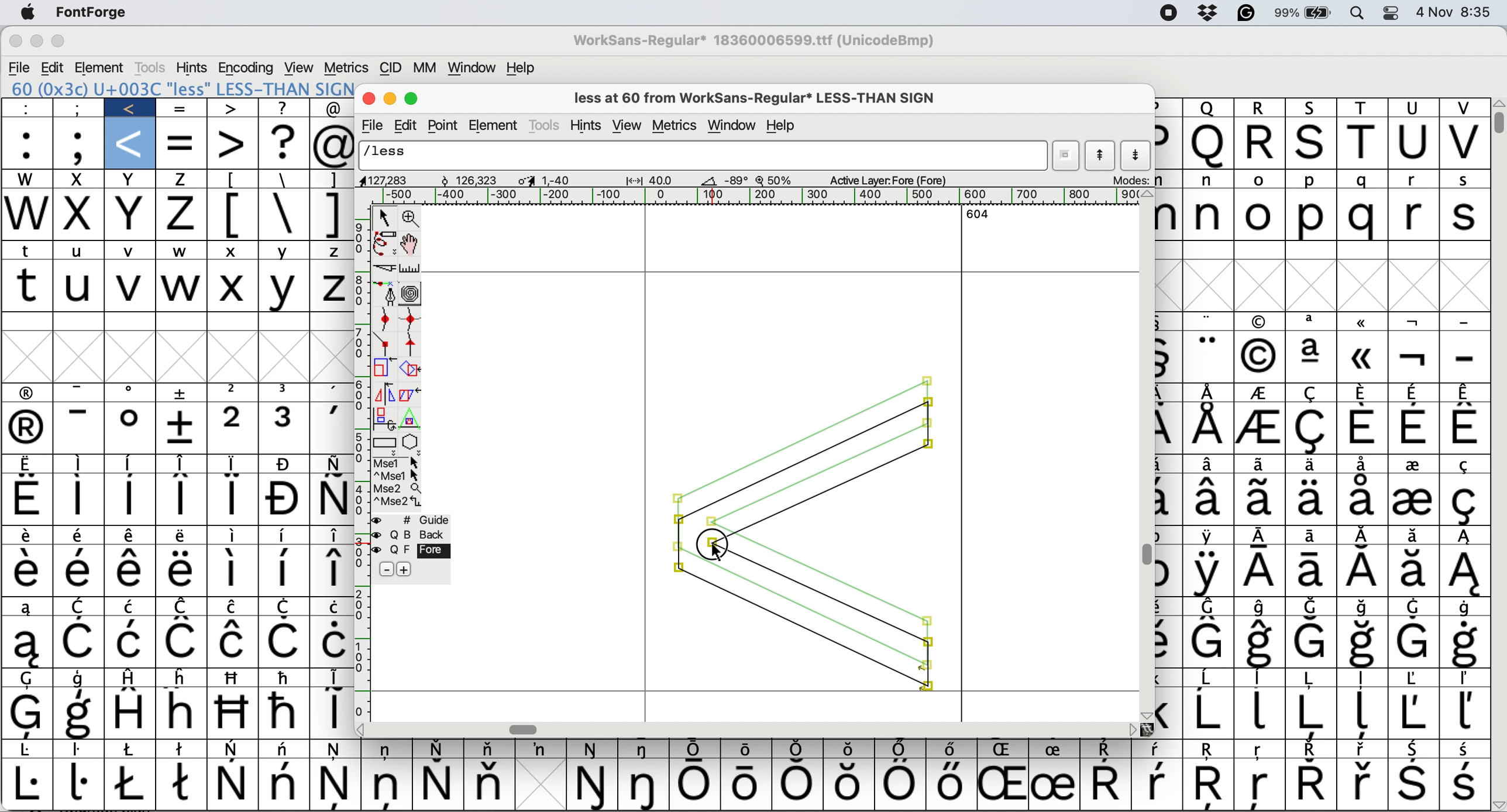 The width and height of the screenshot is (1507, 812). I want to click on tools, so click(546, 125).